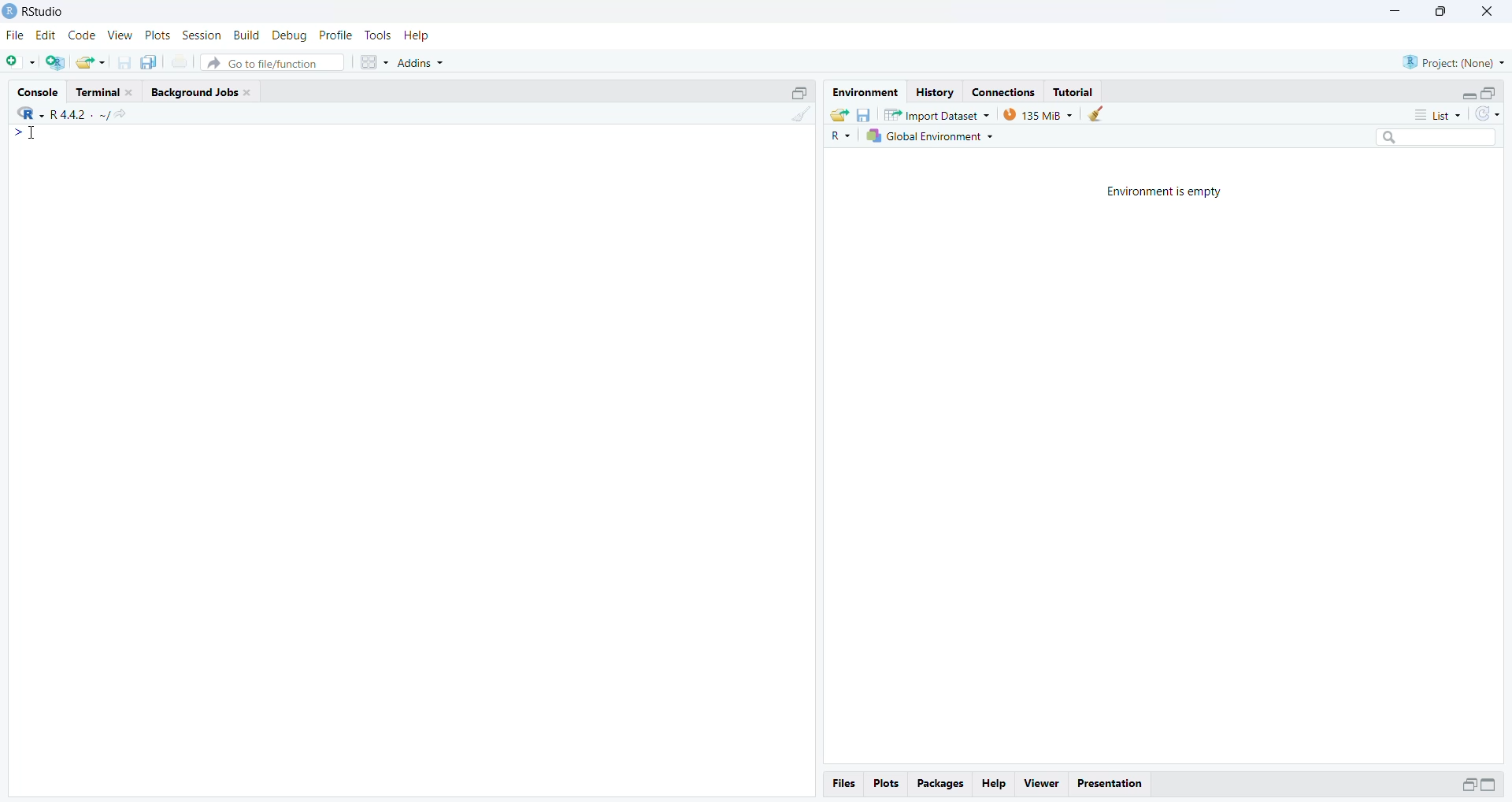  Describe the element at coordinates (1165, 190) in the screenshot. I see `Environment is empty` at that location.